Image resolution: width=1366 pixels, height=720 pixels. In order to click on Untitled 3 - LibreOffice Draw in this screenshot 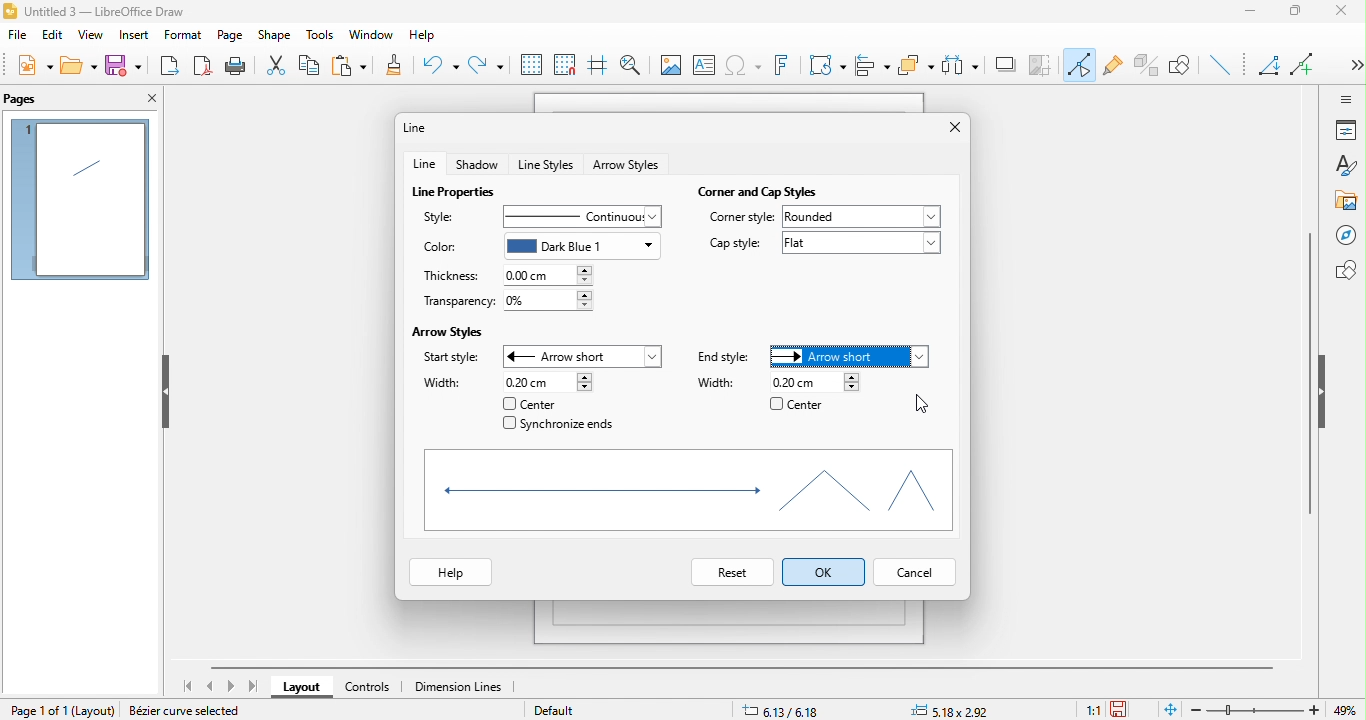, I will do `click(96, 10)`.